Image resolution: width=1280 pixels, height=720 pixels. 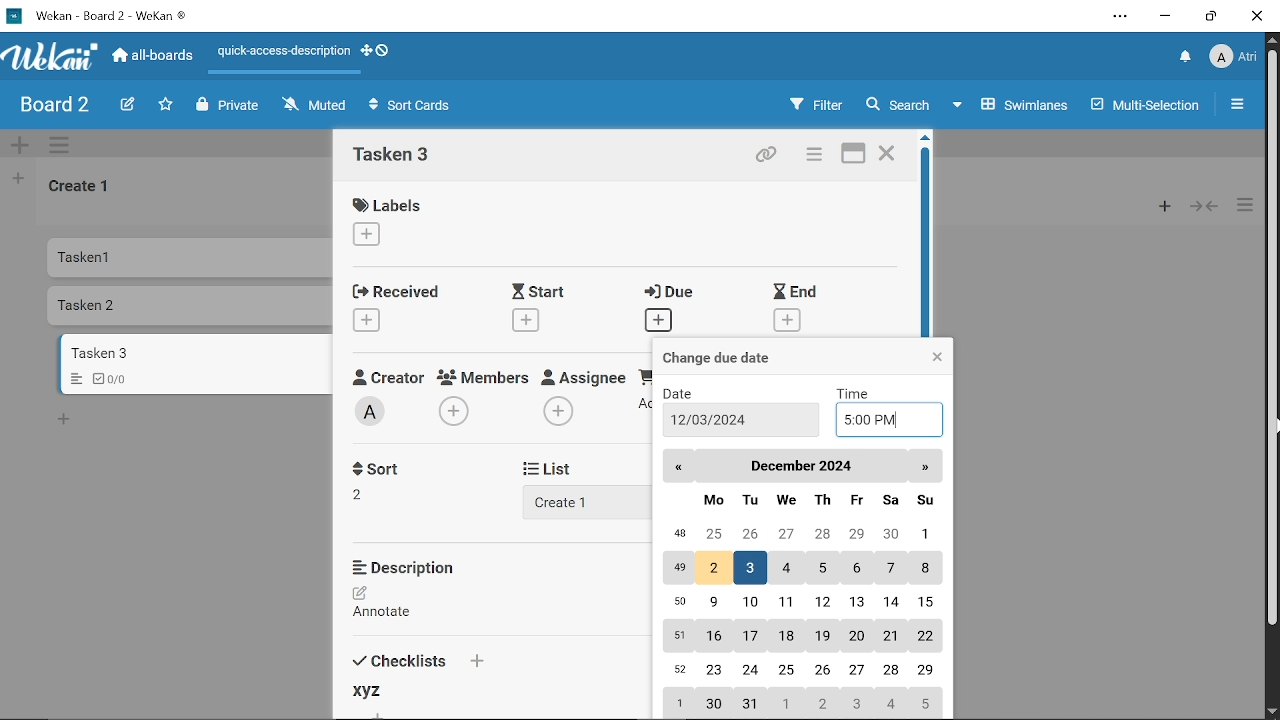 I want to click on Quick access description, so click(x=281, y=51).